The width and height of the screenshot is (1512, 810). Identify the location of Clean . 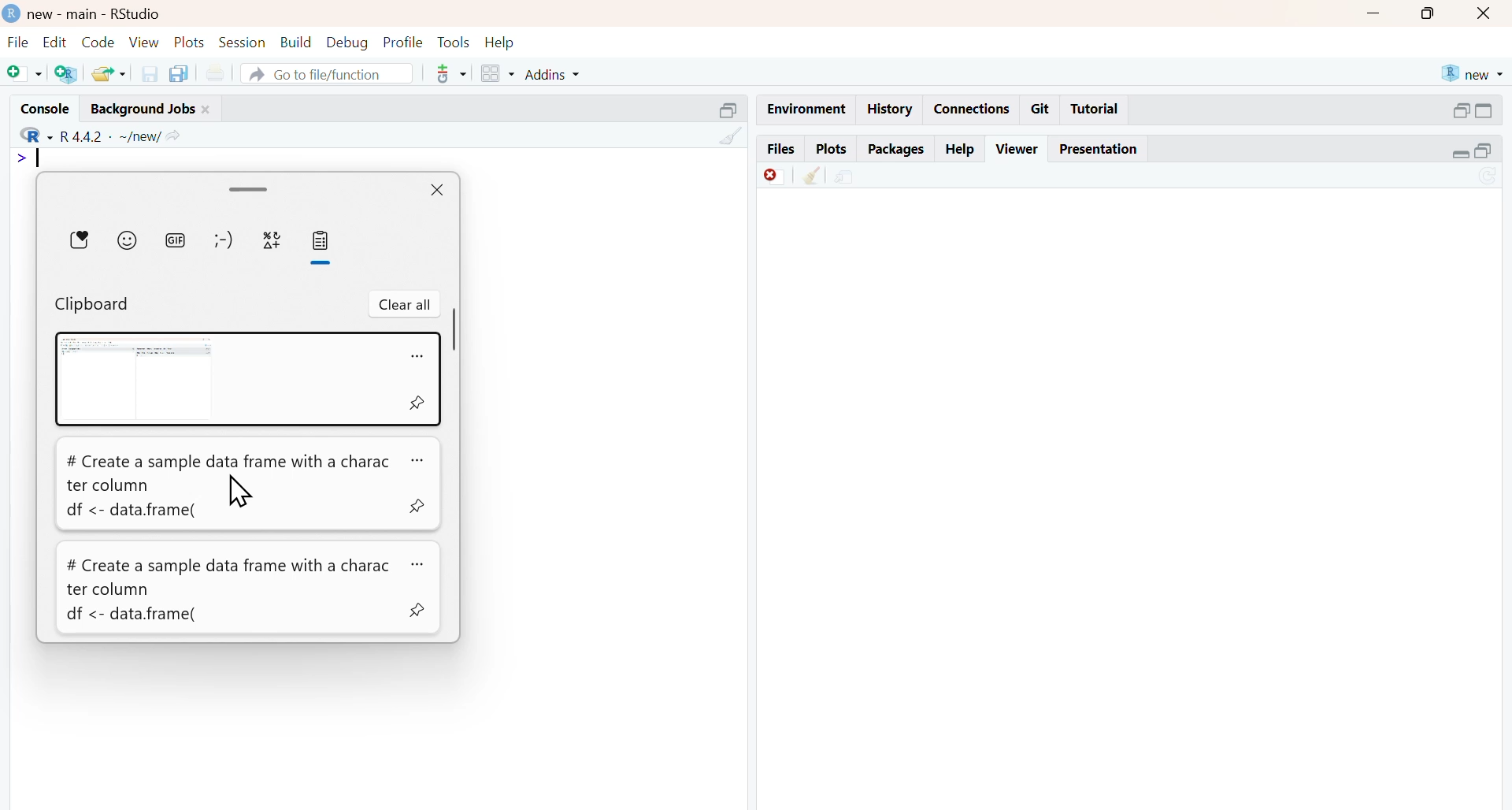
(812, 175).